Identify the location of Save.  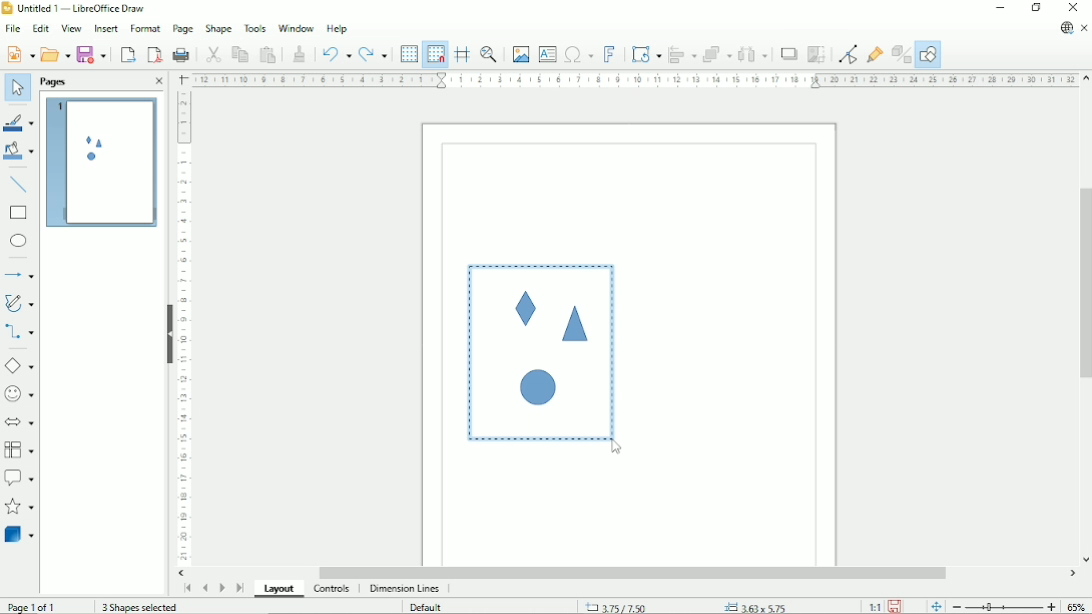
(896, 606).